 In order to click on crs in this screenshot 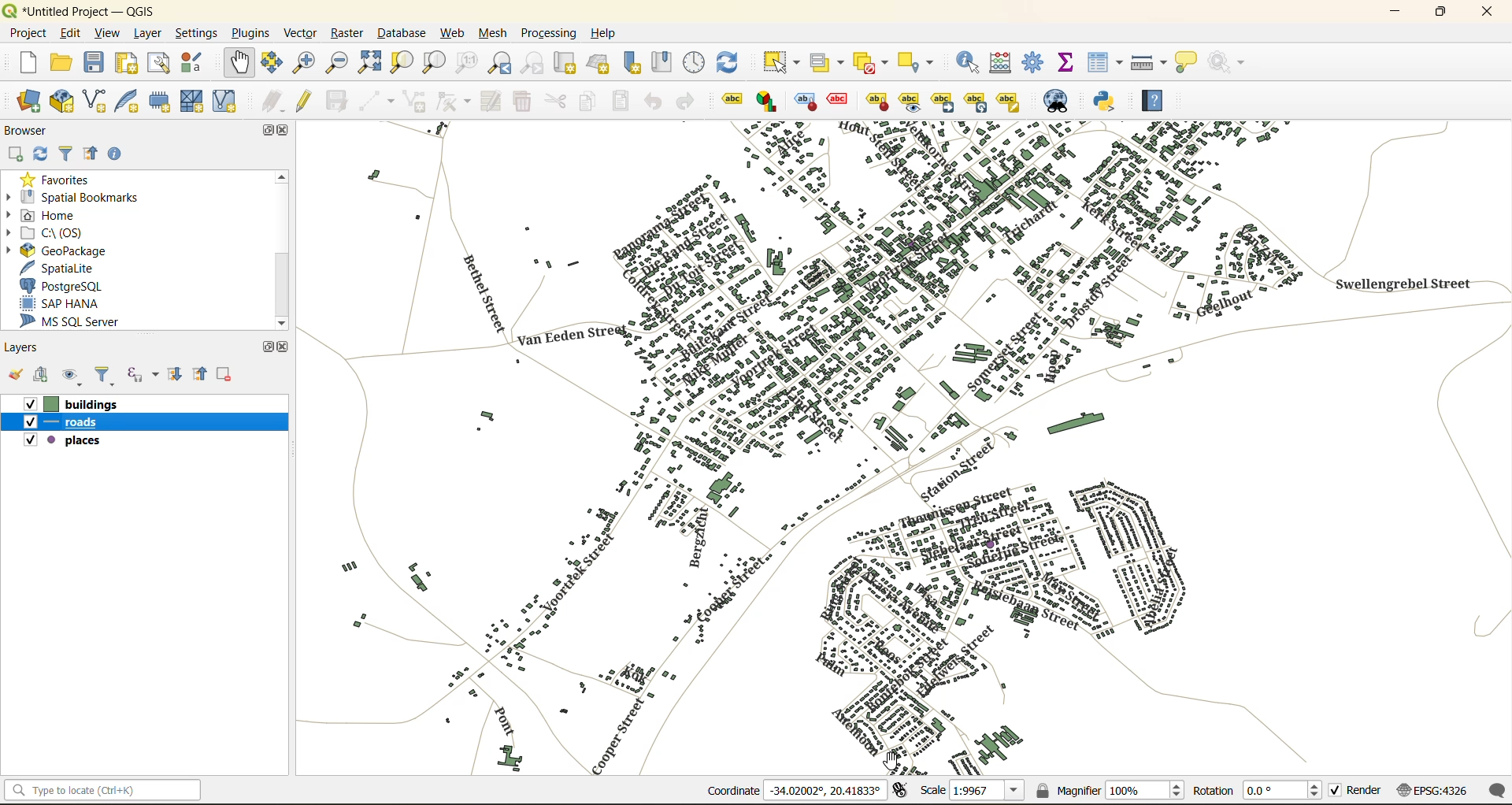, I will do `click(1431, 787)`.